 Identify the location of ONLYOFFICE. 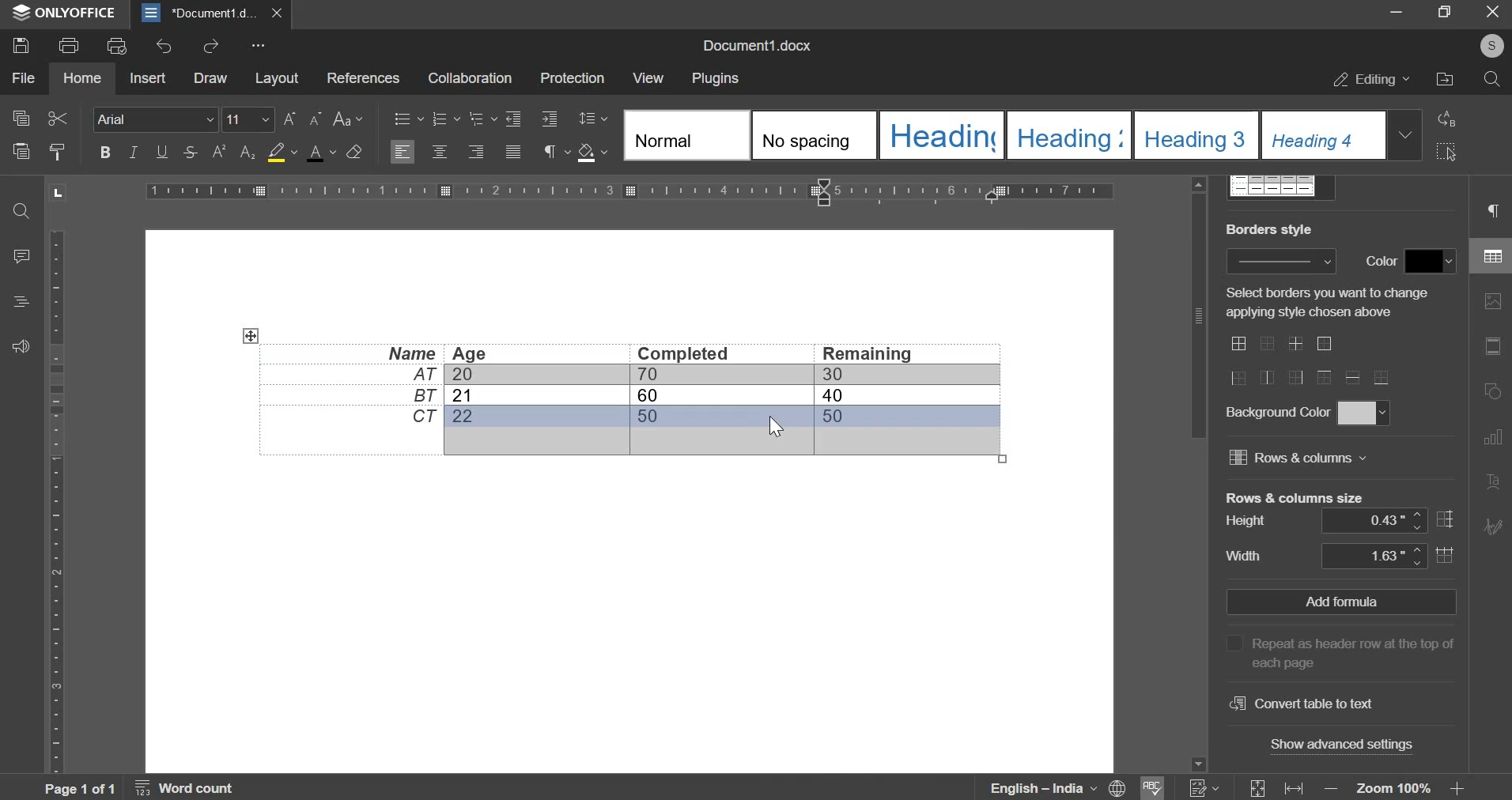
(75, 12).